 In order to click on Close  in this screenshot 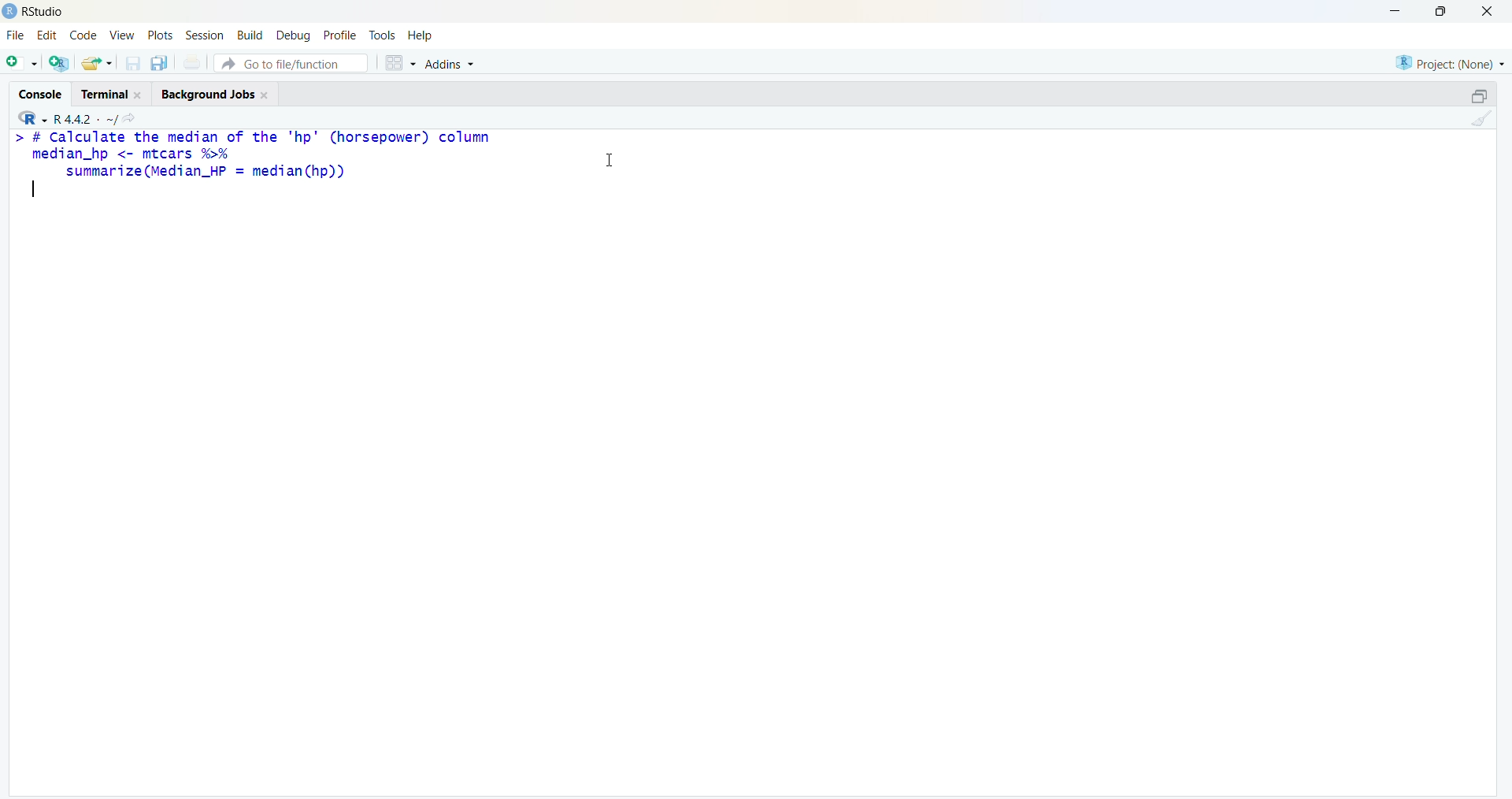, I will do `click(139, 95)`.